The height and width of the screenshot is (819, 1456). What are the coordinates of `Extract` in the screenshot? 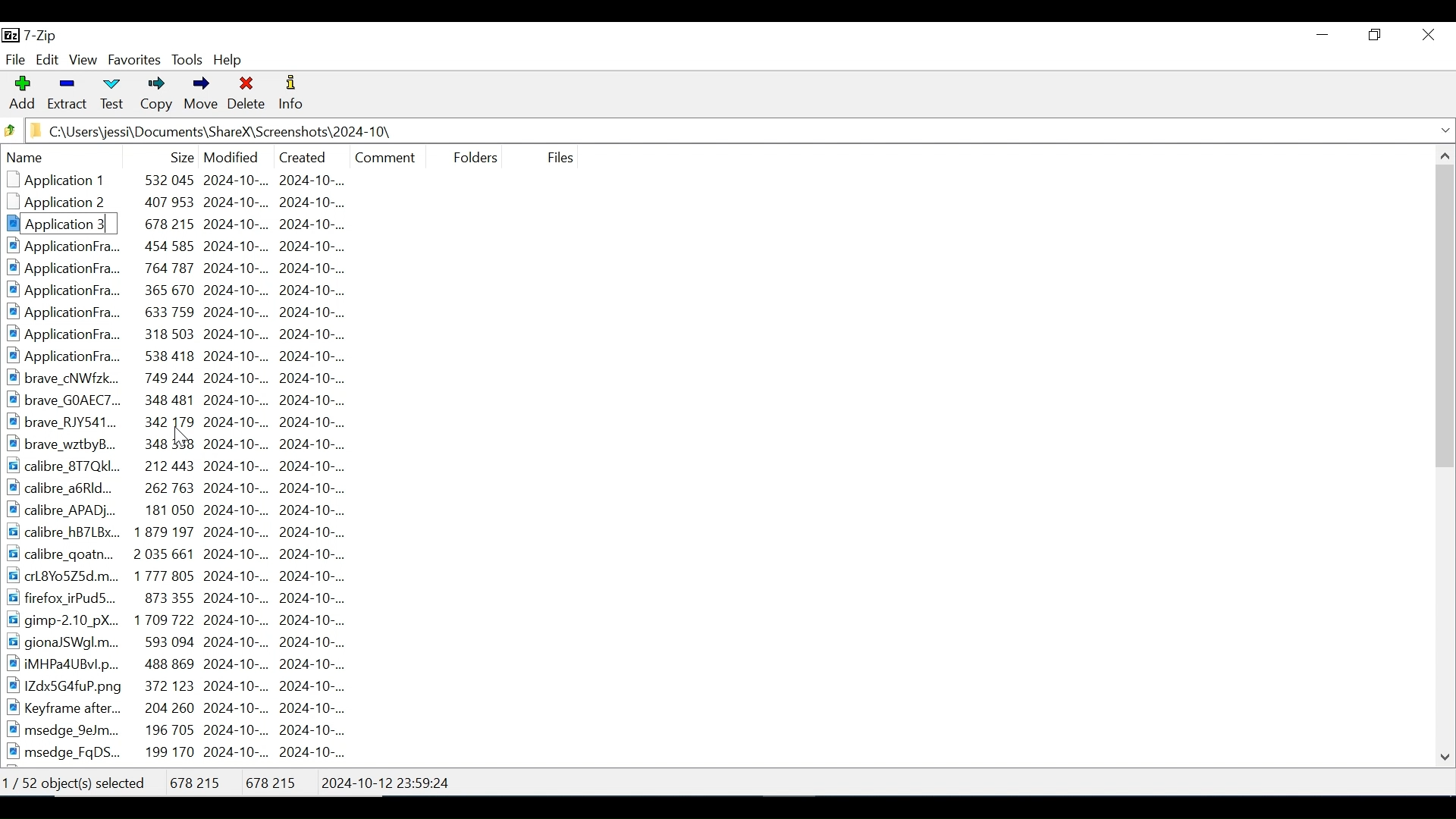 It's located at (66, 94).